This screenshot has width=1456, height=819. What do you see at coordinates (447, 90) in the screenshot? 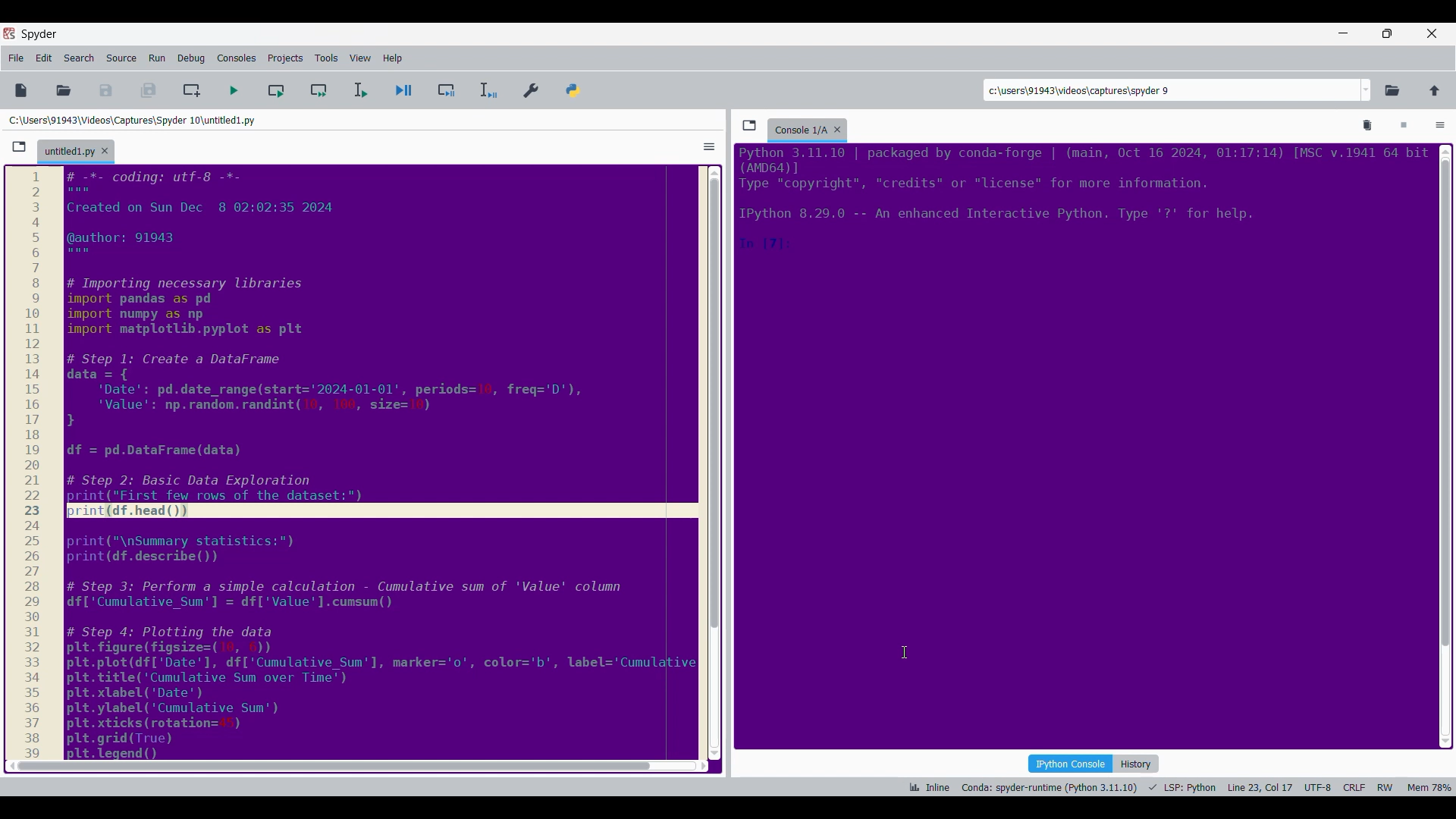
I see `Debug cell` at bounding box center [447, 90].